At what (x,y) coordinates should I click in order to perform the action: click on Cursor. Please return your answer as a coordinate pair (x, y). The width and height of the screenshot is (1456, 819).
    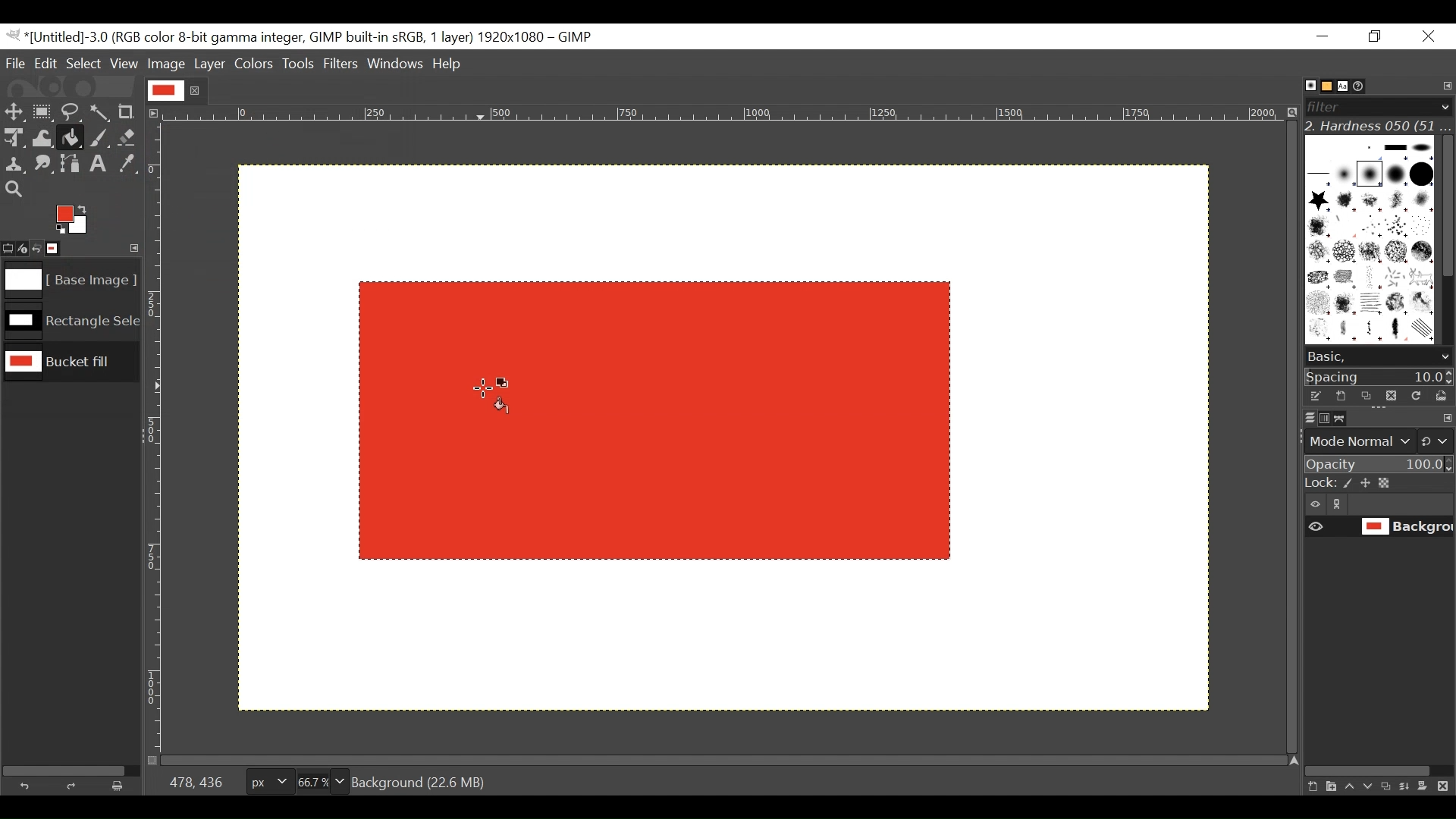
    Looking at the image, I should click on (481, 388).